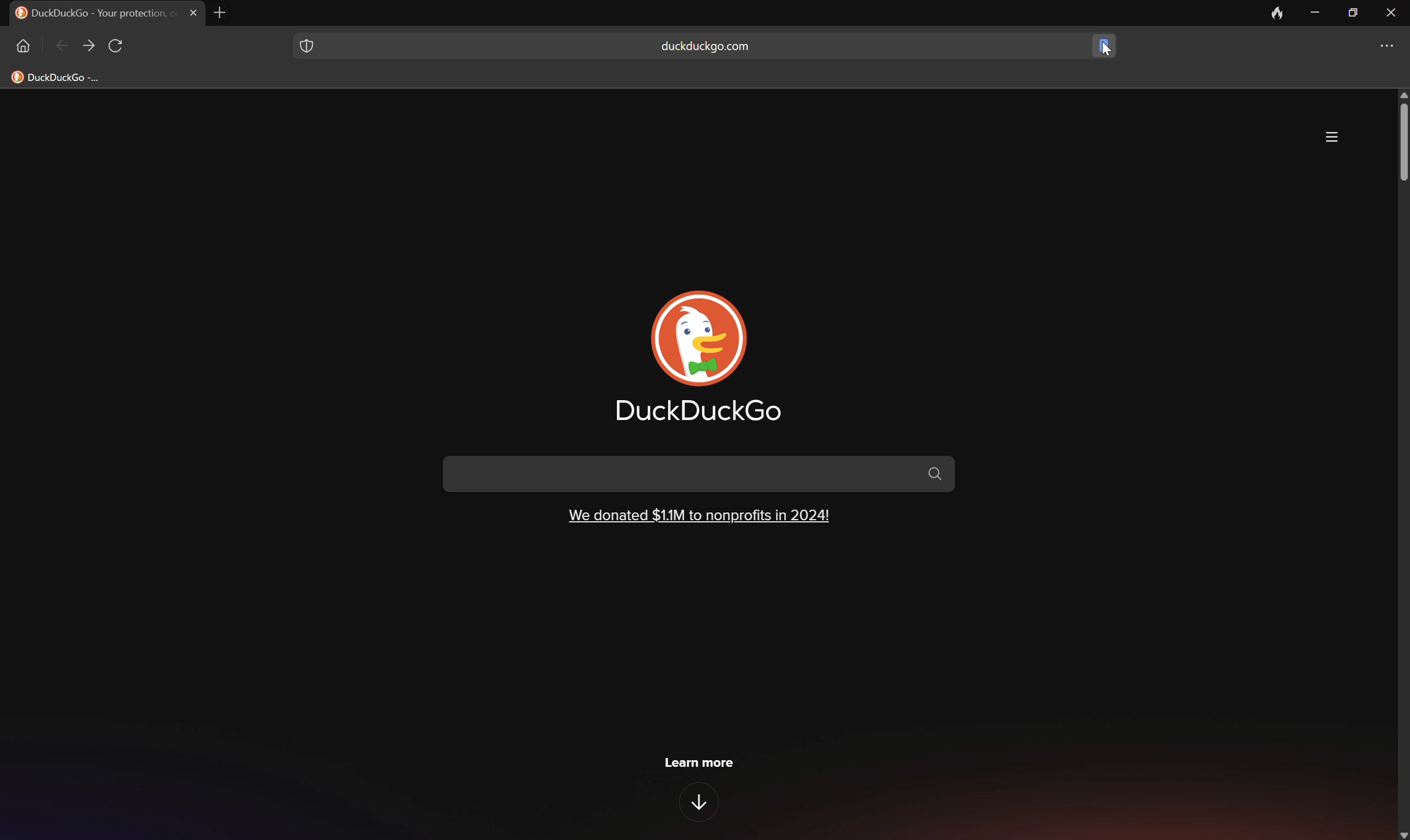 This screenshot has width=1410, height=840. Describe the element at coordinates (1354, 10) in the screenshot. I see `Restore Down` at that location.